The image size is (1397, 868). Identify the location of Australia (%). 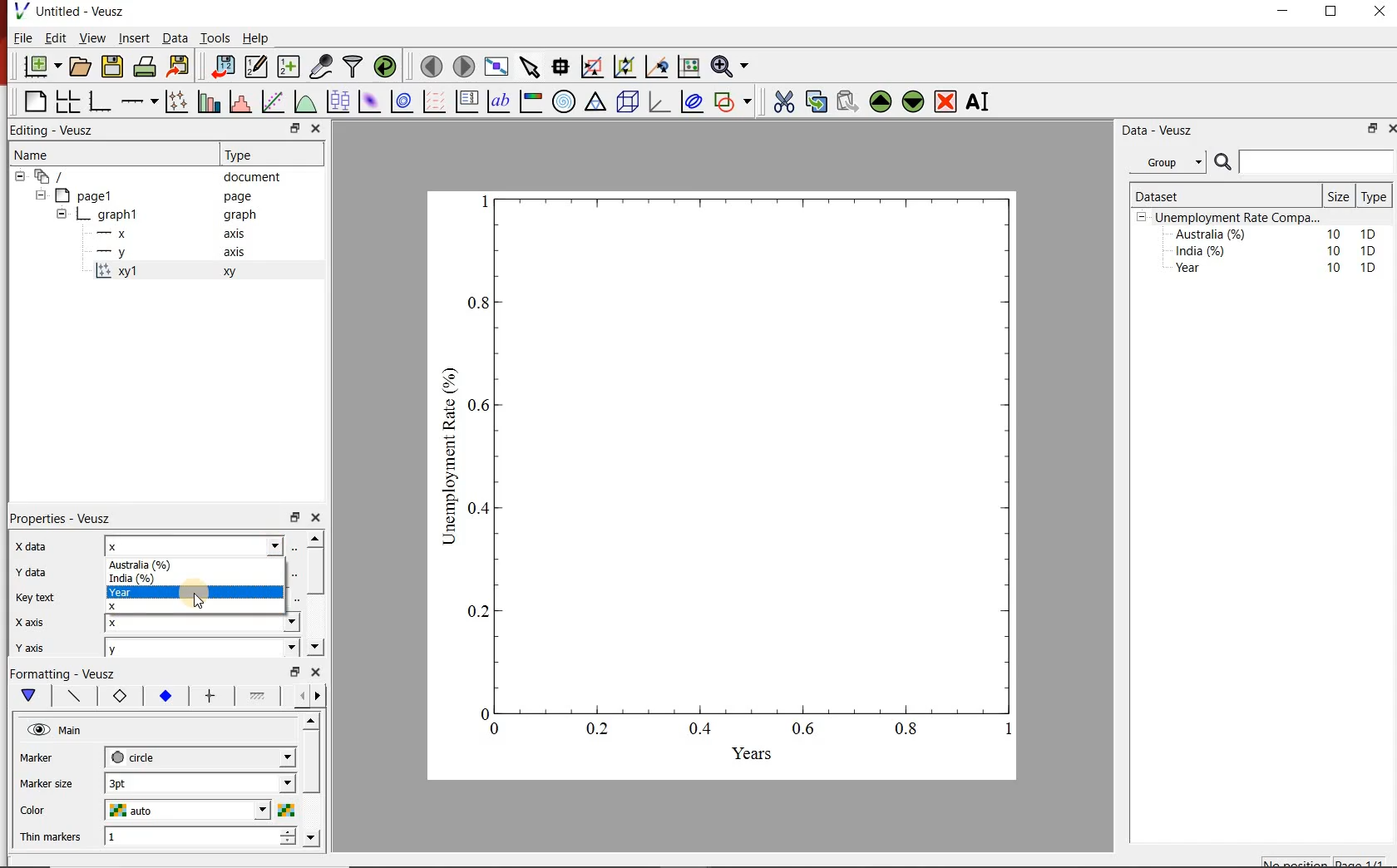
(205, 565).